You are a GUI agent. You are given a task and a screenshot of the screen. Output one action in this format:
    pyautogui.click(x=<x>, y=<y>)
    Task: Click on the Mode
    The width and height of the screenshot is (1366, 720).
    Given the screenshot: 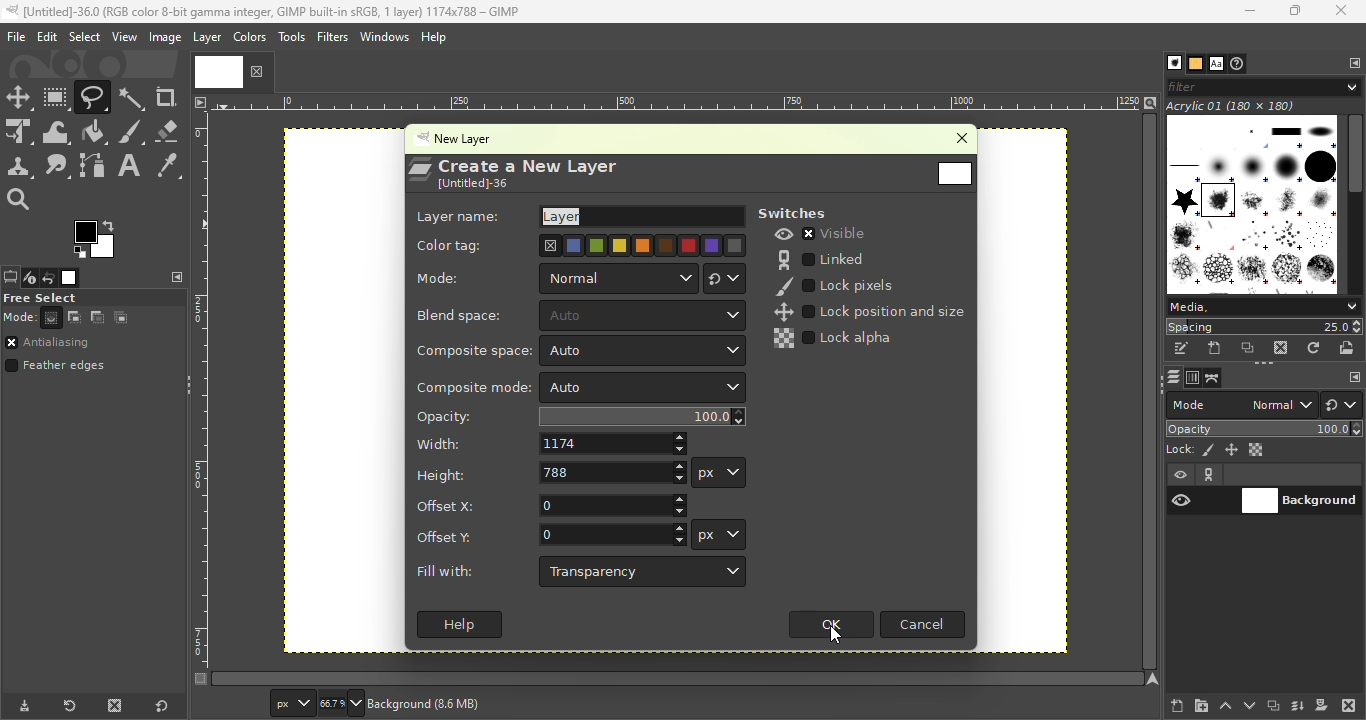 What is the action you would take?
    pyautogui.click(x=33, y=318)
    